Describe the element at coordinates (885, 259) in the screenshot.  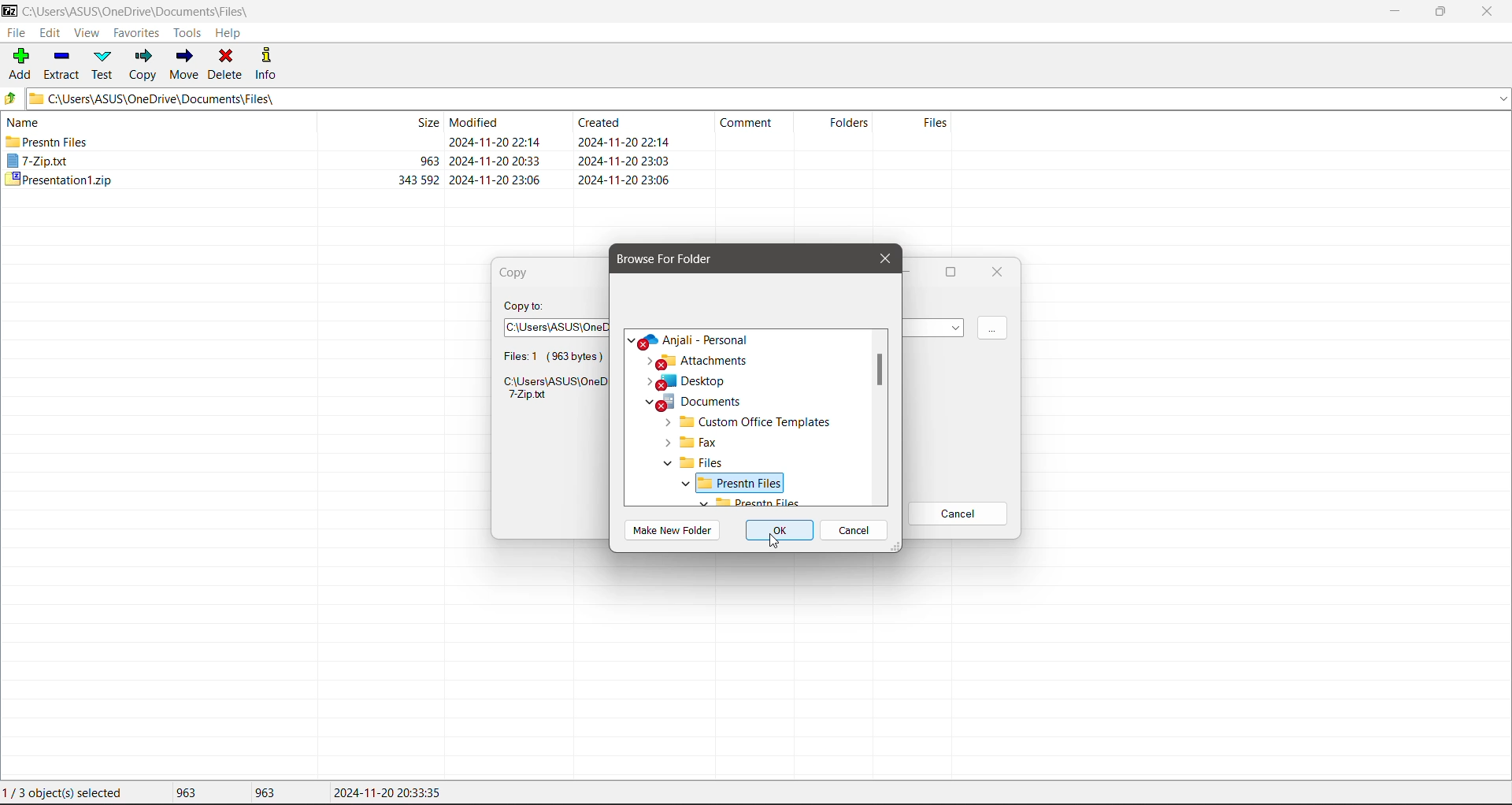
I see `Close` at that location.